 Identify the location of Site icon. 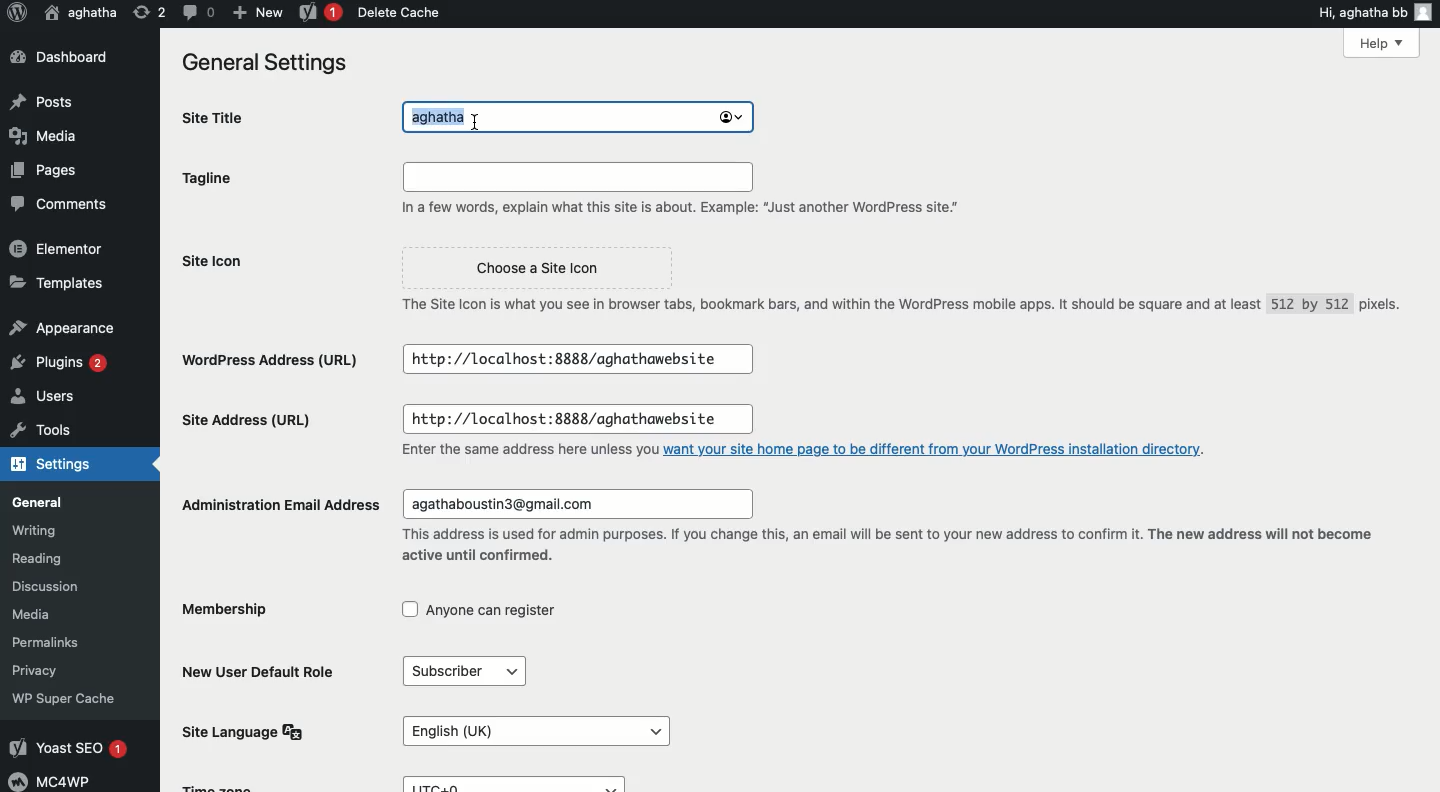
(234, 278).